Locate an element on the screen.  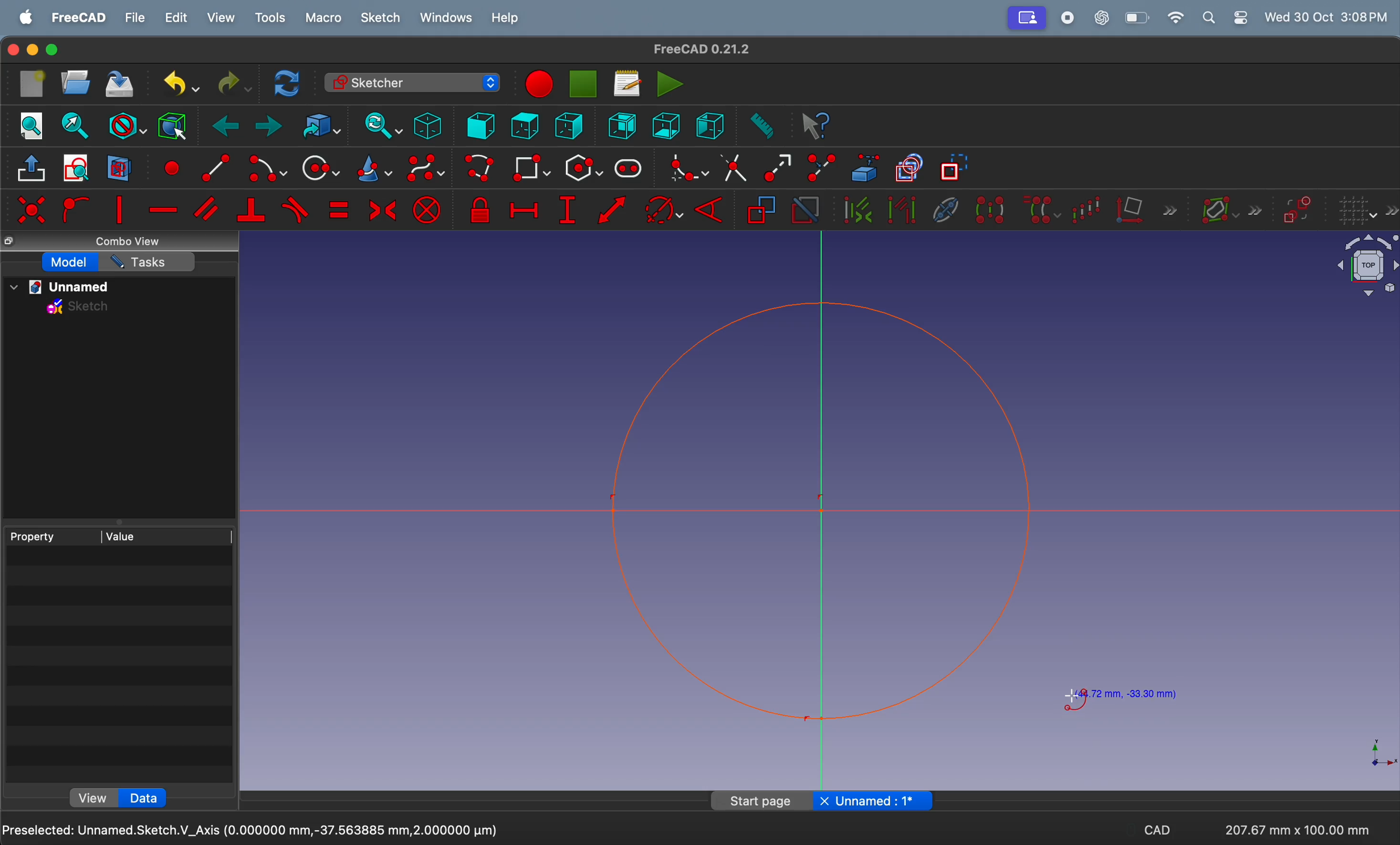
constrain tangent is located at coordinates (296, 210).